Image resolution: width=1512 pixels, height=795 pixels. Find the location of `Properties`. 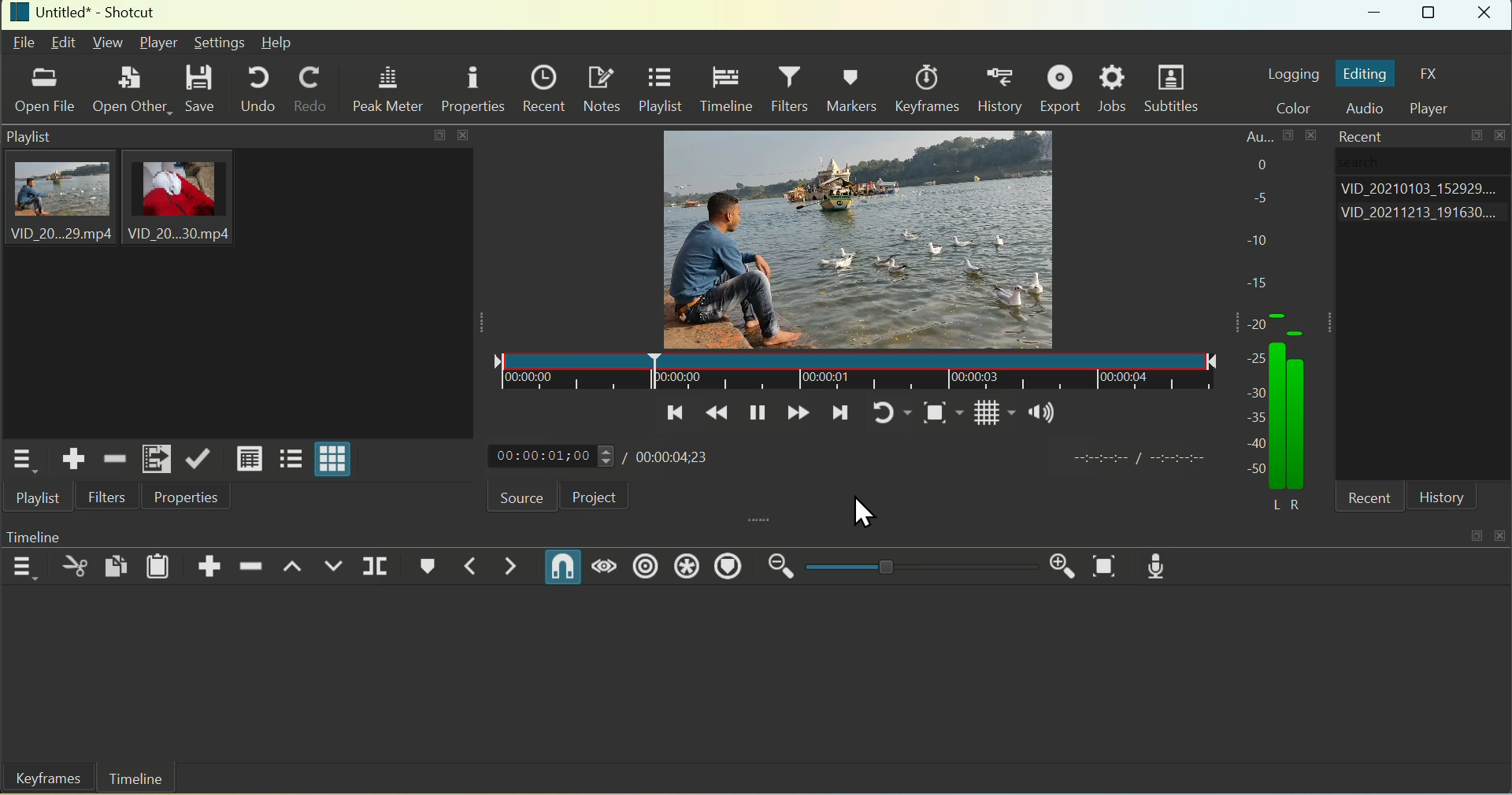

Properties is located at coordinates (184, 497).